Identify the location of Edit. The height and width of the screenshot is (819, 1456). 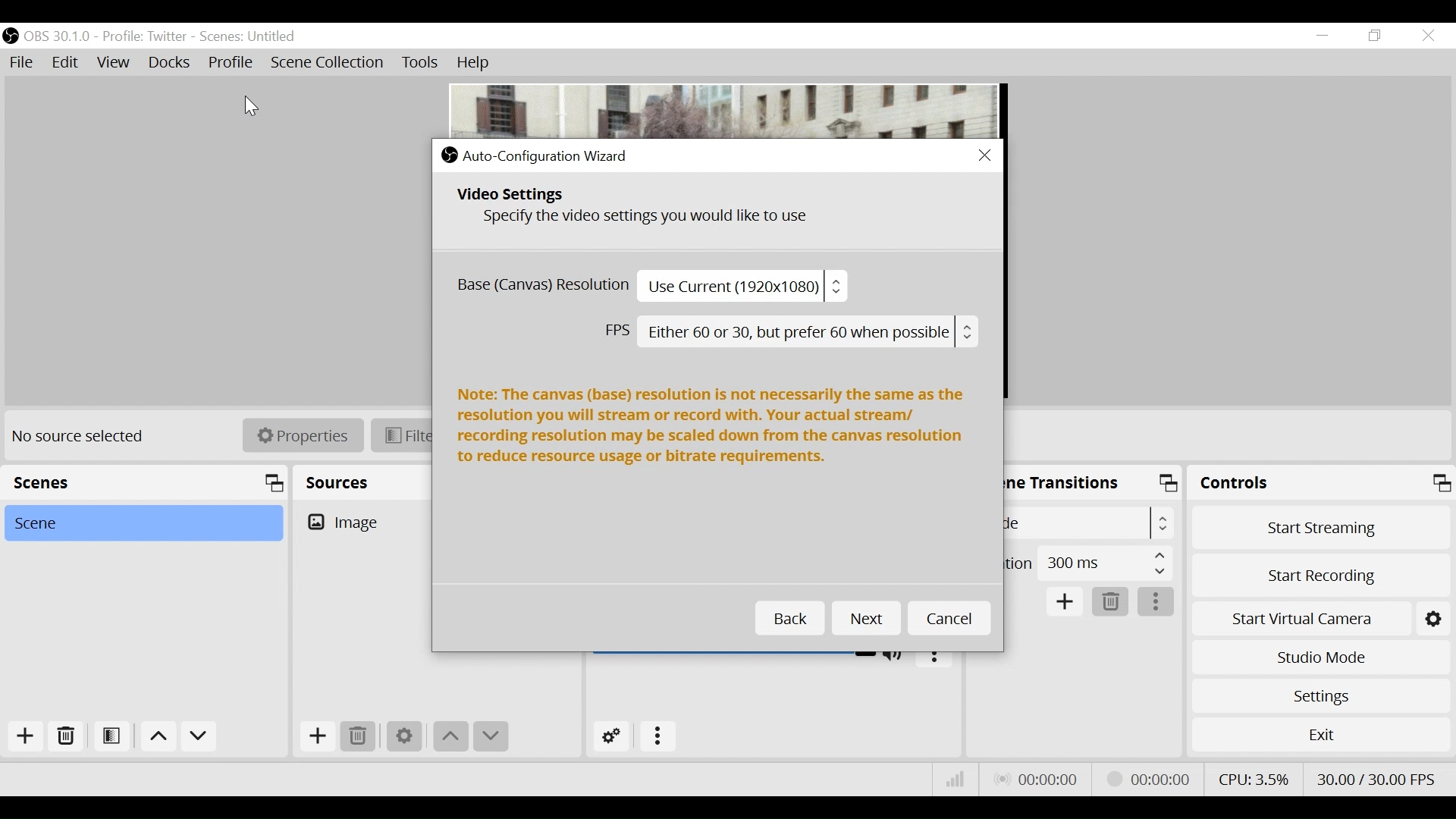
(67, 63).